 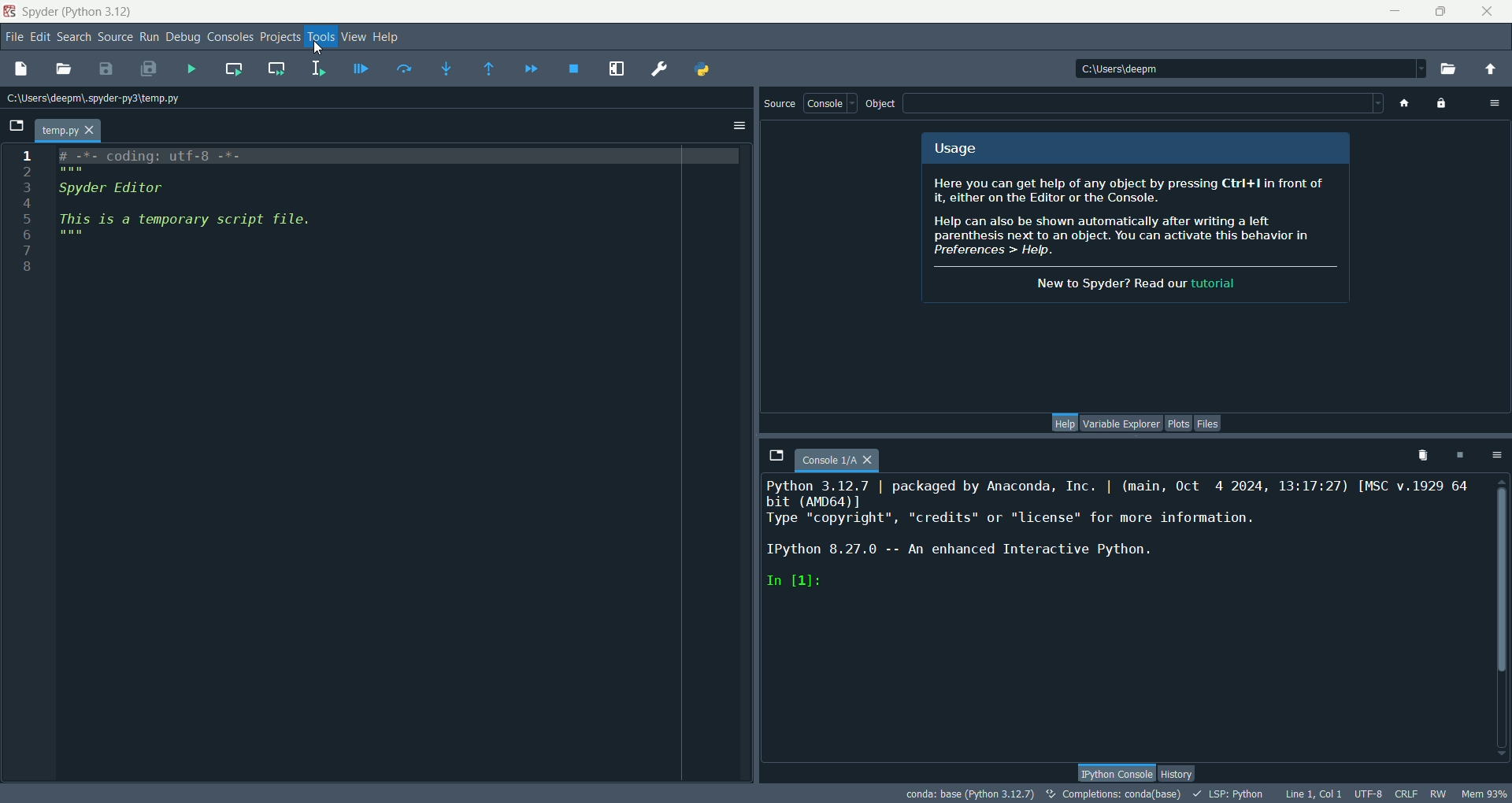 I want to click on file, so click(x=13, y=36).